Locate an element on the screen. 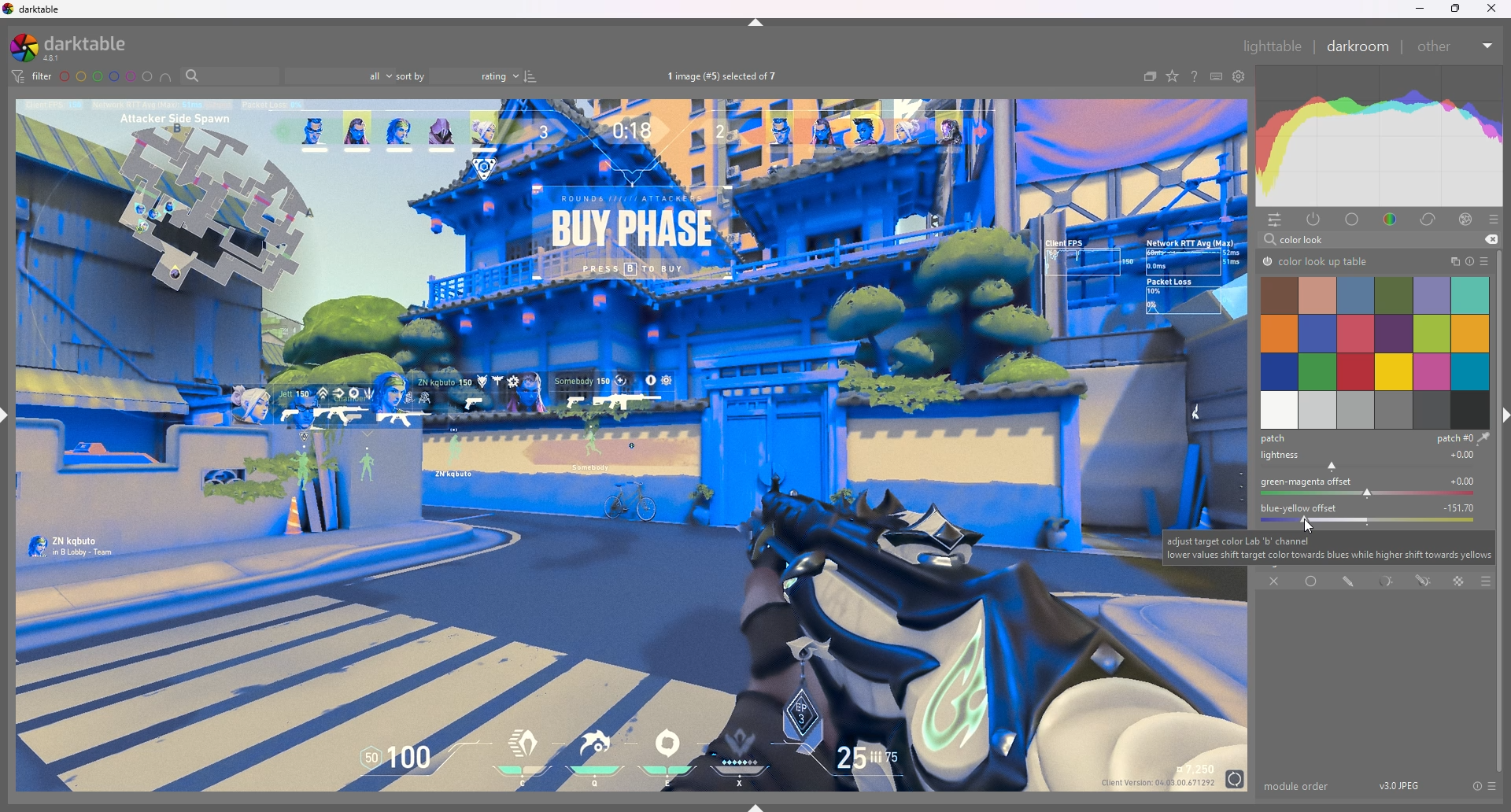 This screenshot has width=1511, height=812. include colors is located at coordinates (165, 78).